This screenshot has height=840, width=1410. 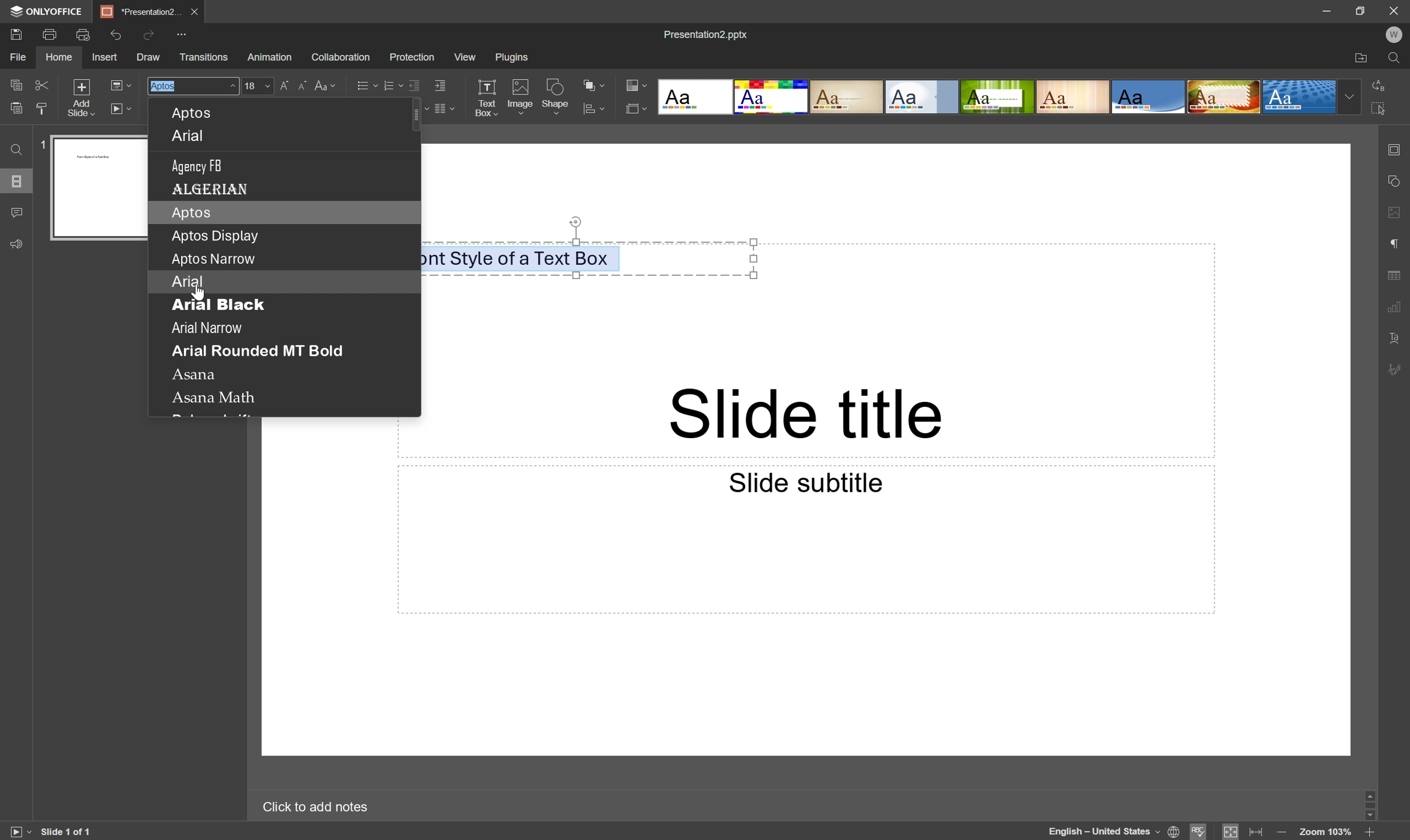 I want to click on Restore Down, so click(x=1364, y=8).